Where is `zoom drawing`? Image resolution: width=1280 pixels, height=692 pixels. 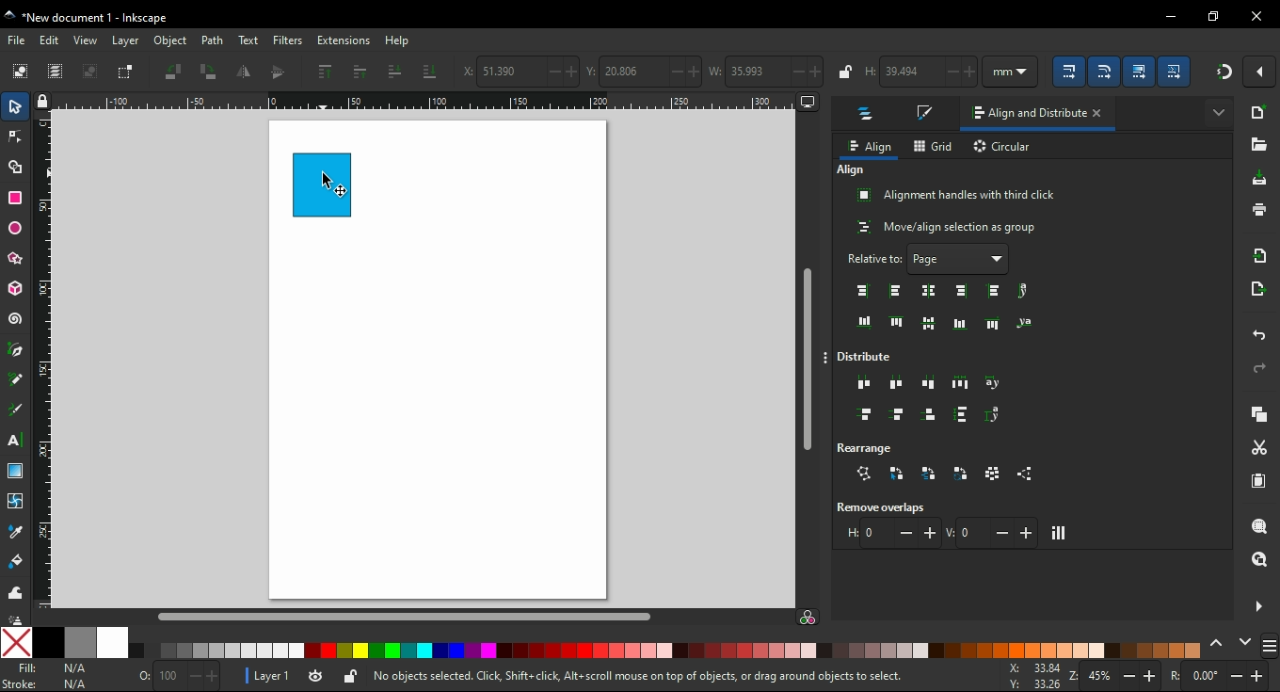 zoom drawing is located at coordinates (1260, 559).